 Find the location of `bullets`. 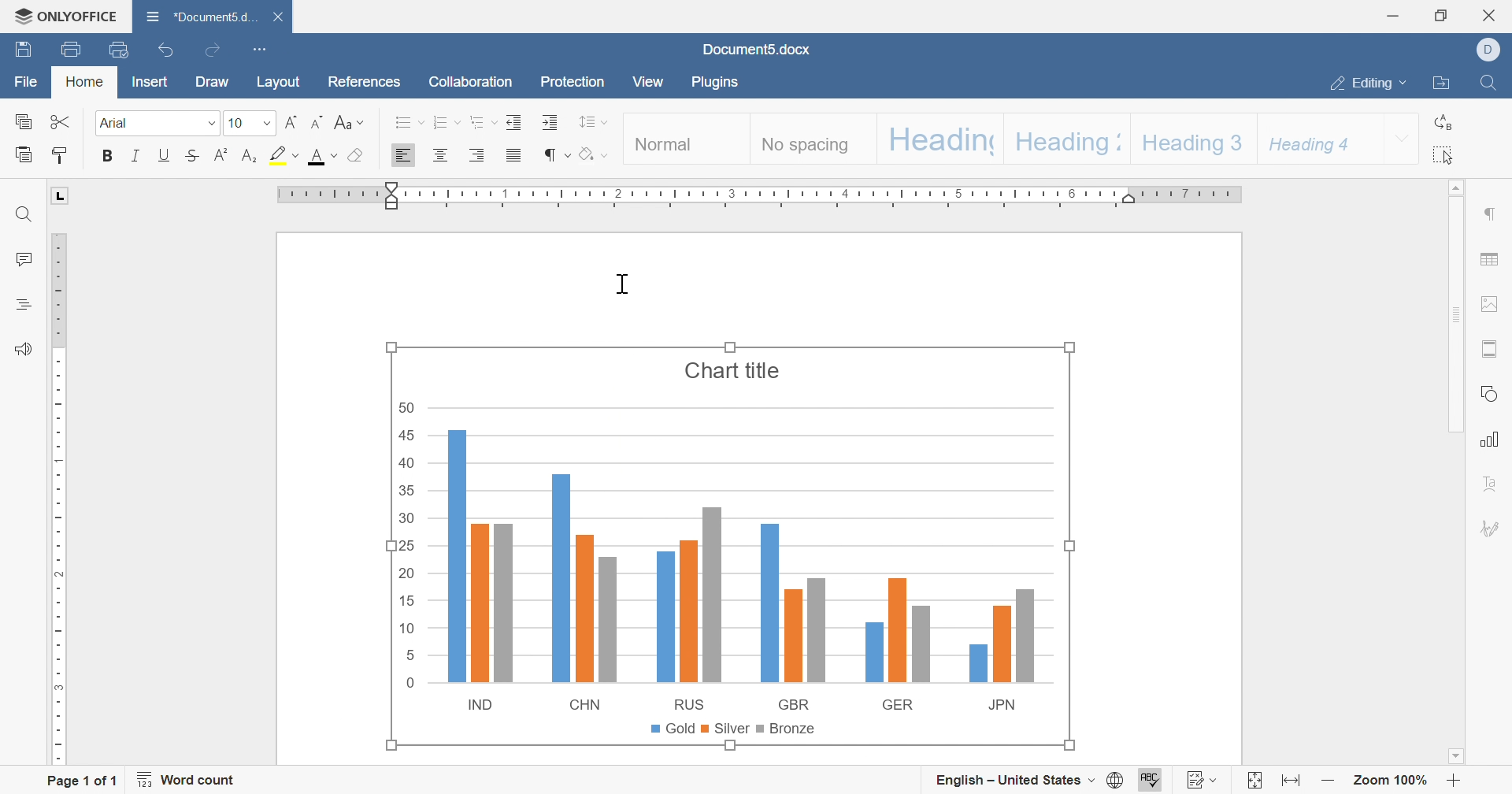

bullets is located at coordinates (410, 123).